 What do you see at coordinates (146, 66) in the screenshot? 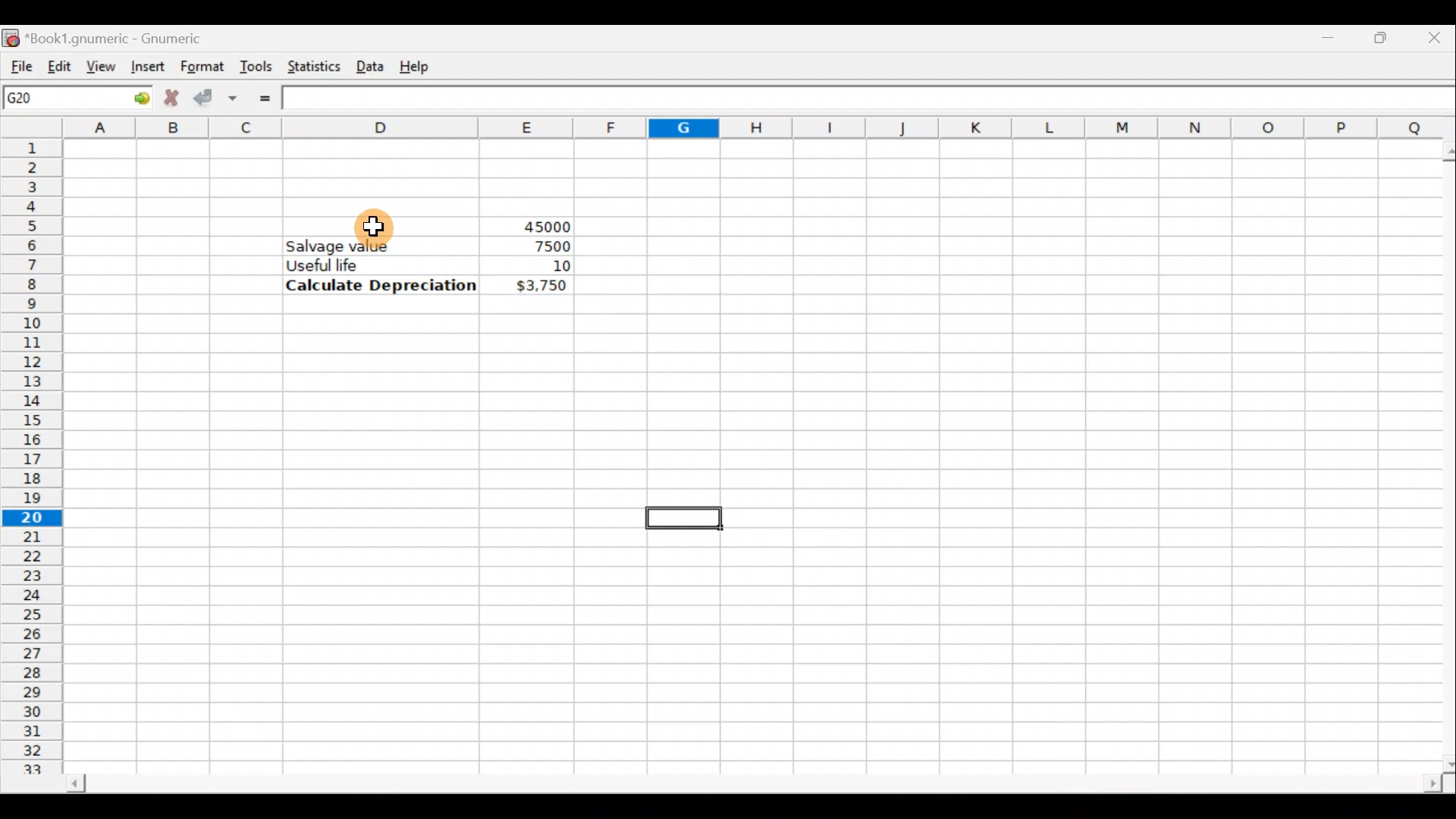
I see `Insert` at bounding box center [146, 66].